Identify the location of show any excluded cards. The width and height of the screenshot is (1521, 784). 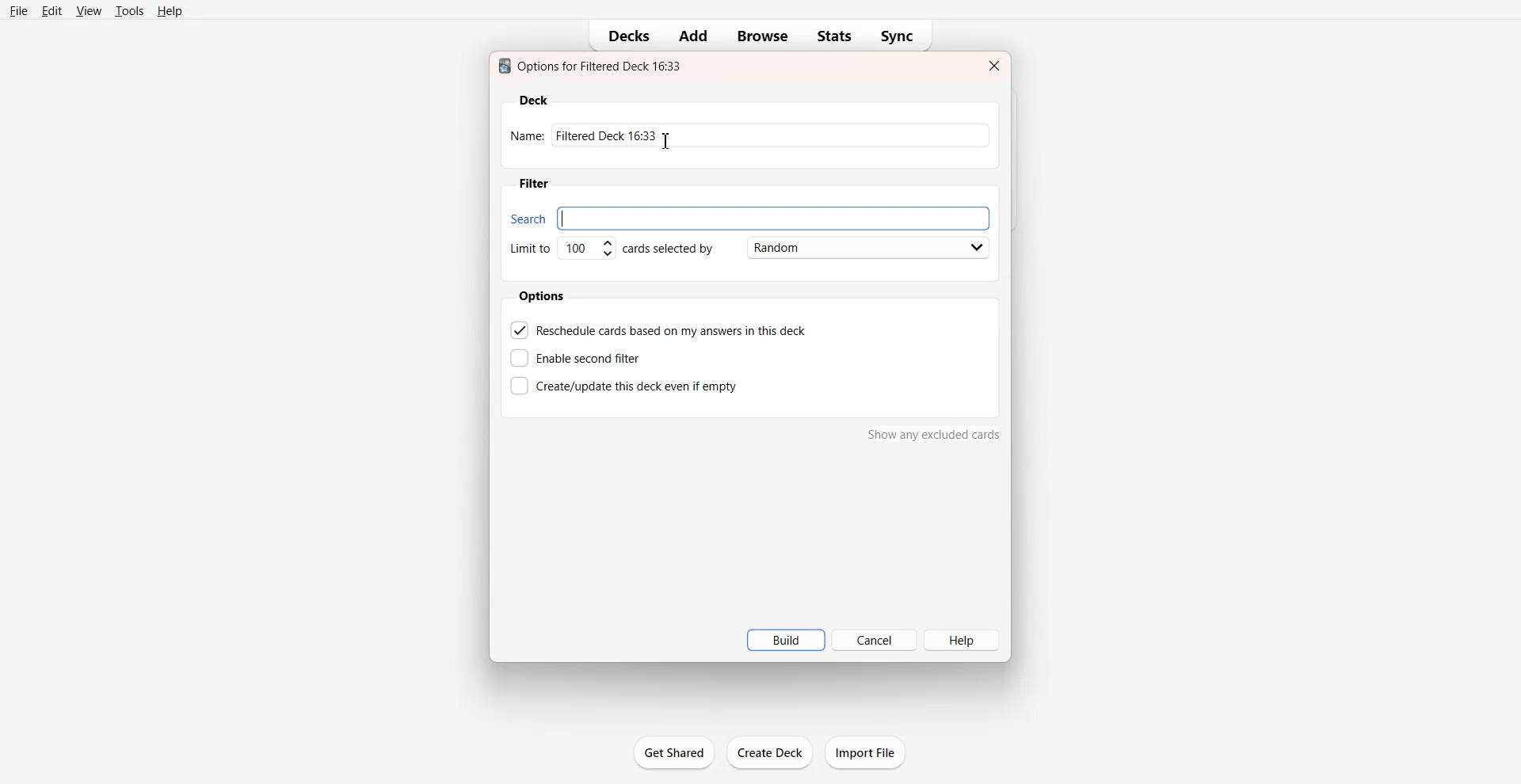
(934, 438).